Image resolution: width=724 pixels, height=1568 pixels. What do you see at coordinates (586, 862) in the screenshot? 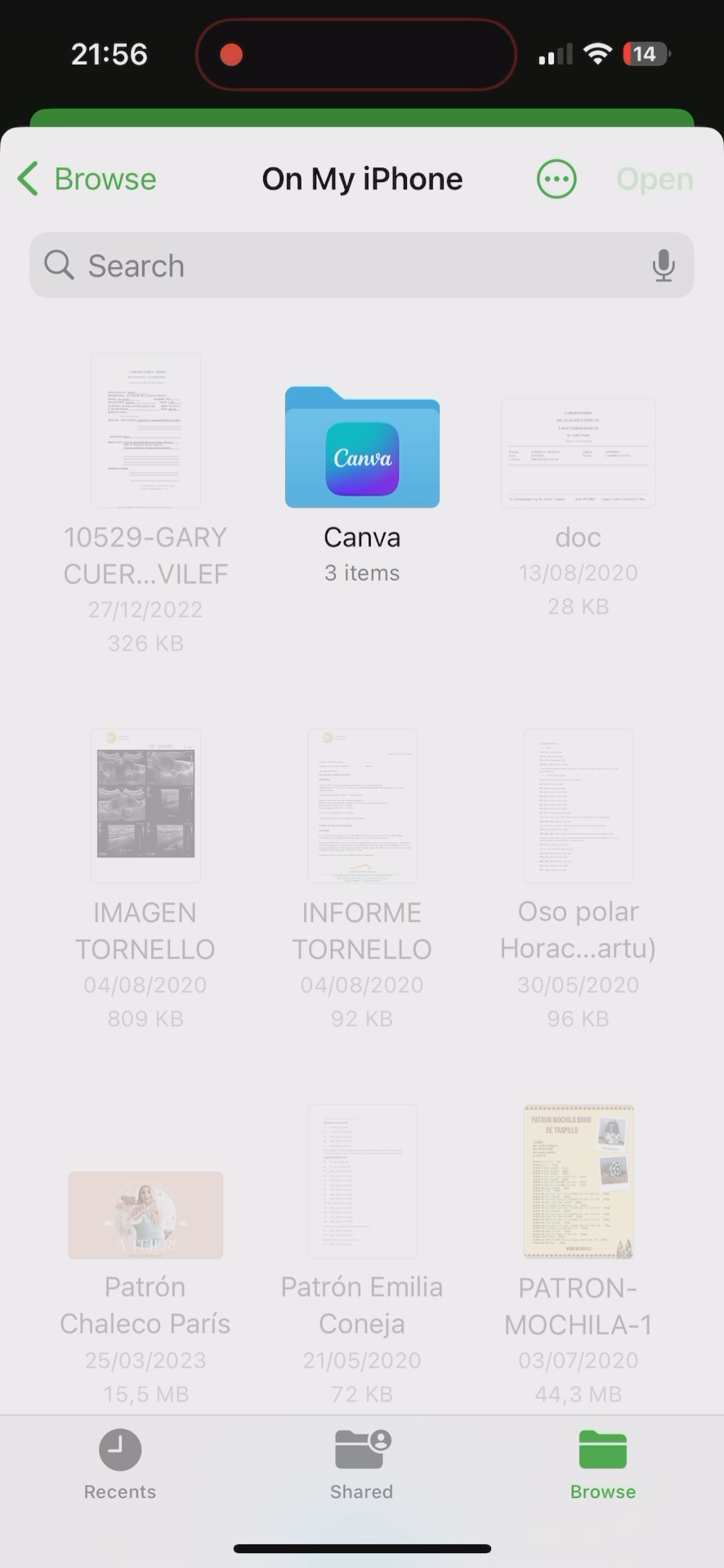
I see `Oso polar
Horac...artu)` at bounding box center [586, 862].